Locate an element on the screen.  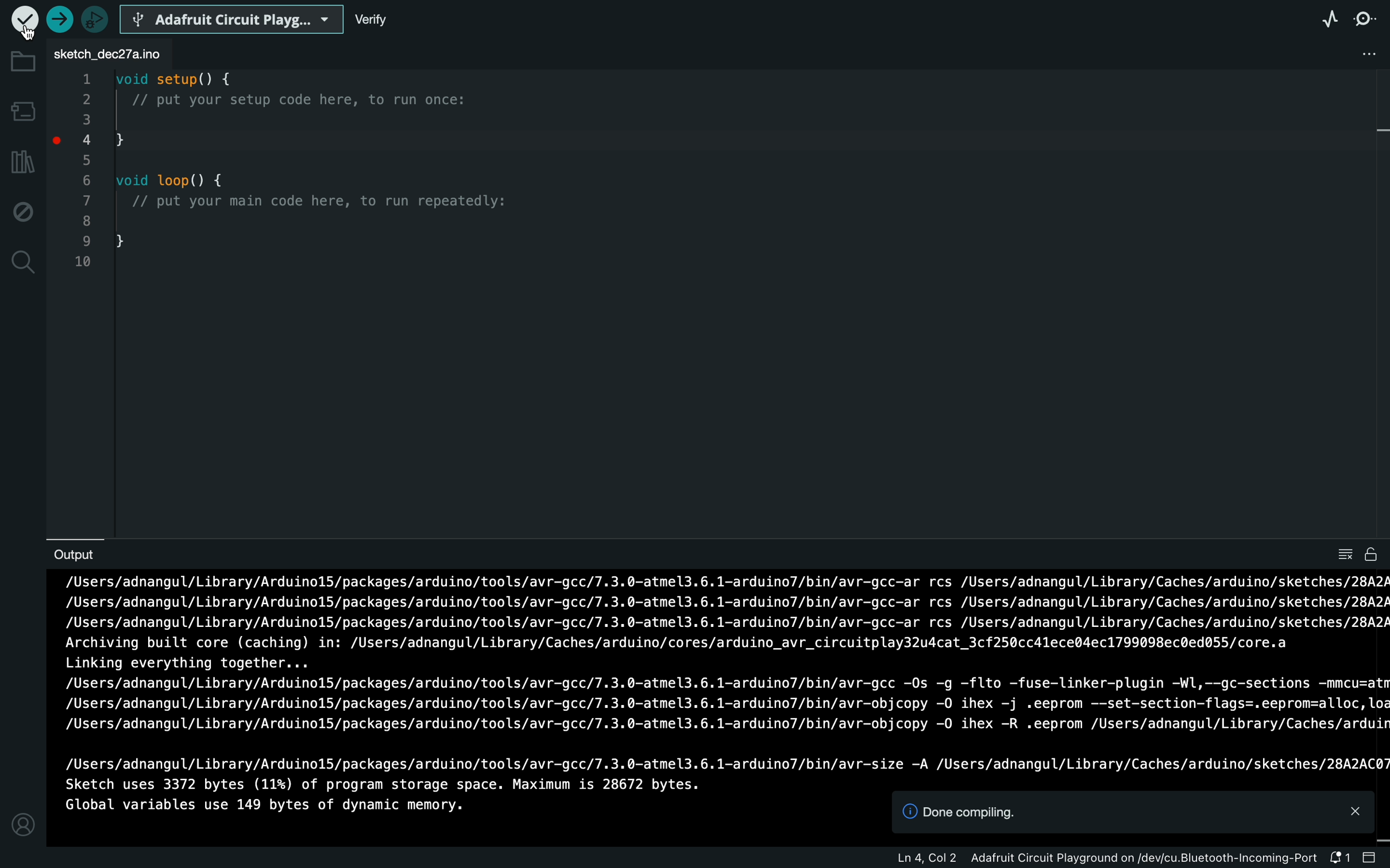
folder is located at coordinates (22, 60).